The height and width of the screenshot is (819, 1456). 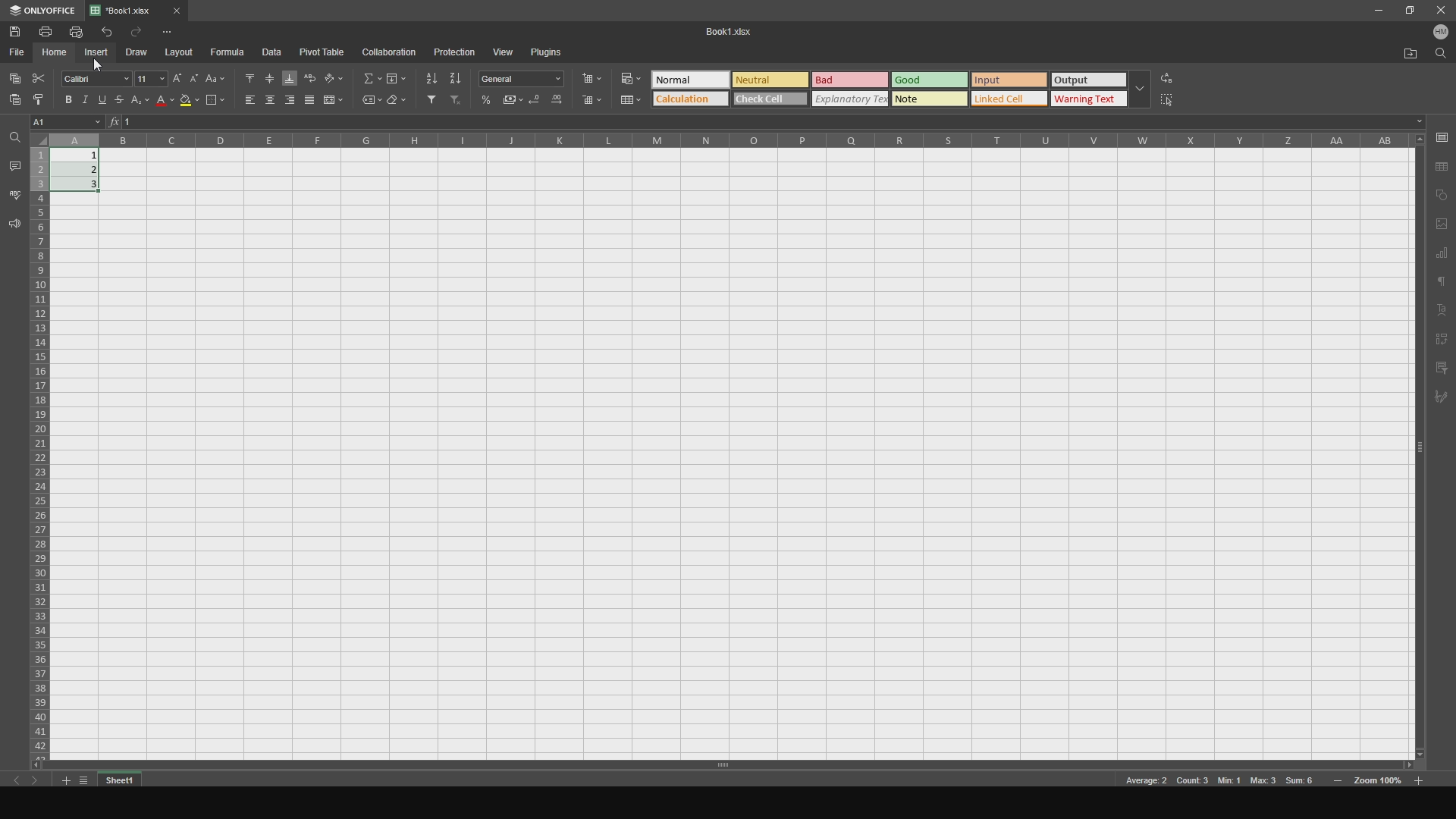 What do you see at coordinates (154, 9) in the screenshot?
I see `file tab` at bounding box center [154, 9].